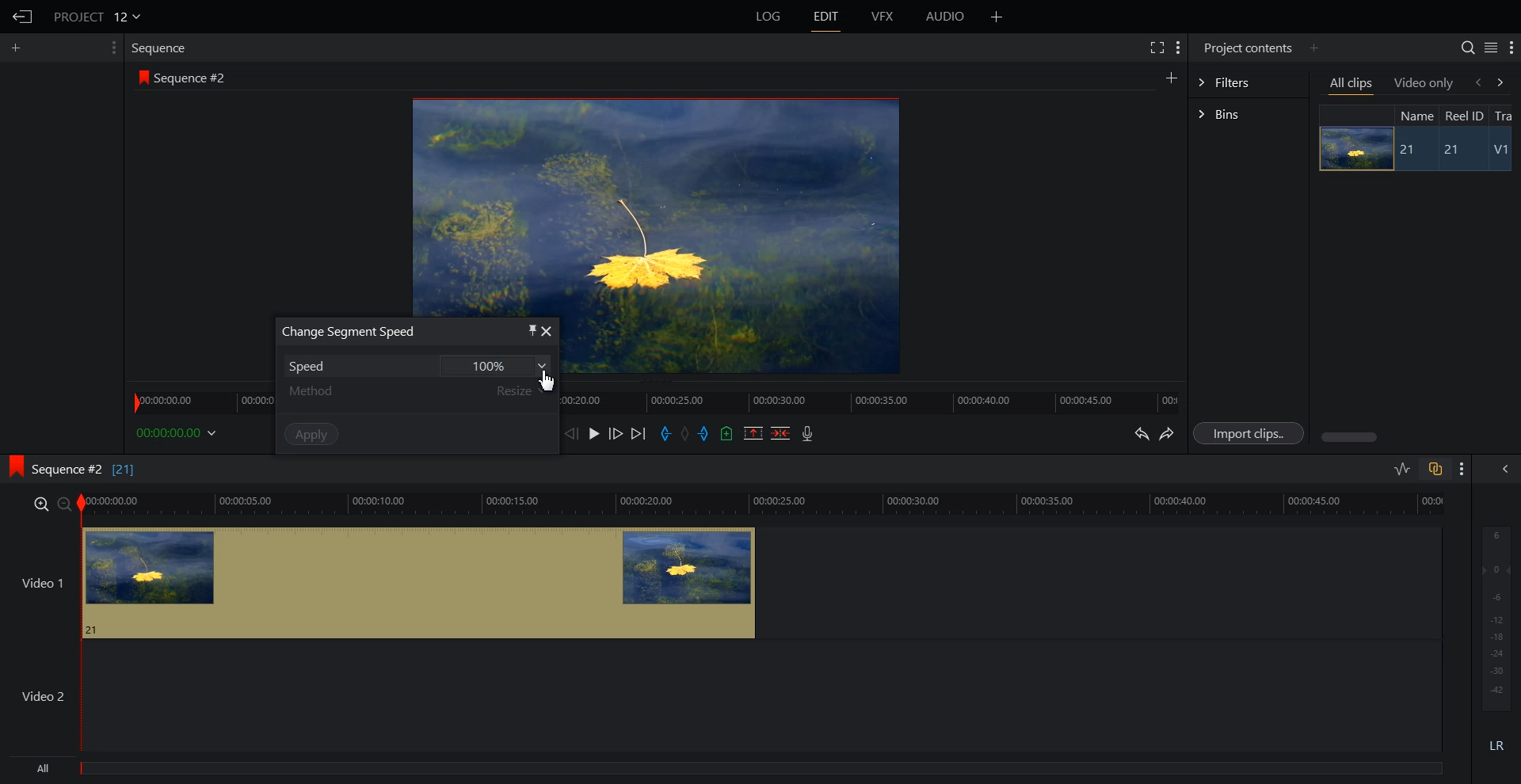 The image size is (1521, 784). What do you see at coordinates (664, 434) in the screenshot?
I see `Add an in Mark in current position` at bounding box center [664, 434].